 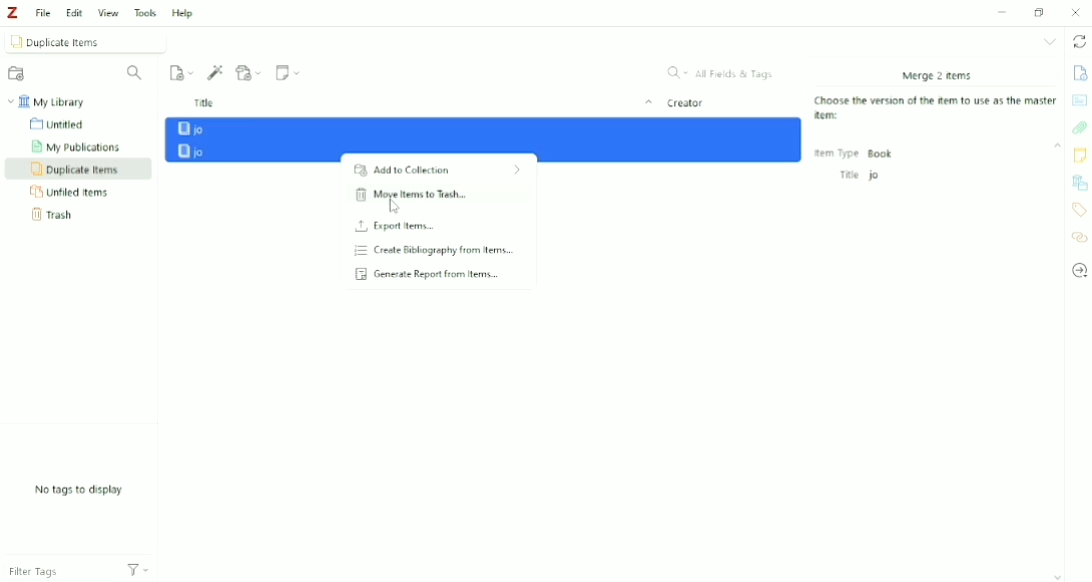 What do you see at coordinates (186, 14) in the screenshot?
I see `Help` at bounding box center [186, 14].